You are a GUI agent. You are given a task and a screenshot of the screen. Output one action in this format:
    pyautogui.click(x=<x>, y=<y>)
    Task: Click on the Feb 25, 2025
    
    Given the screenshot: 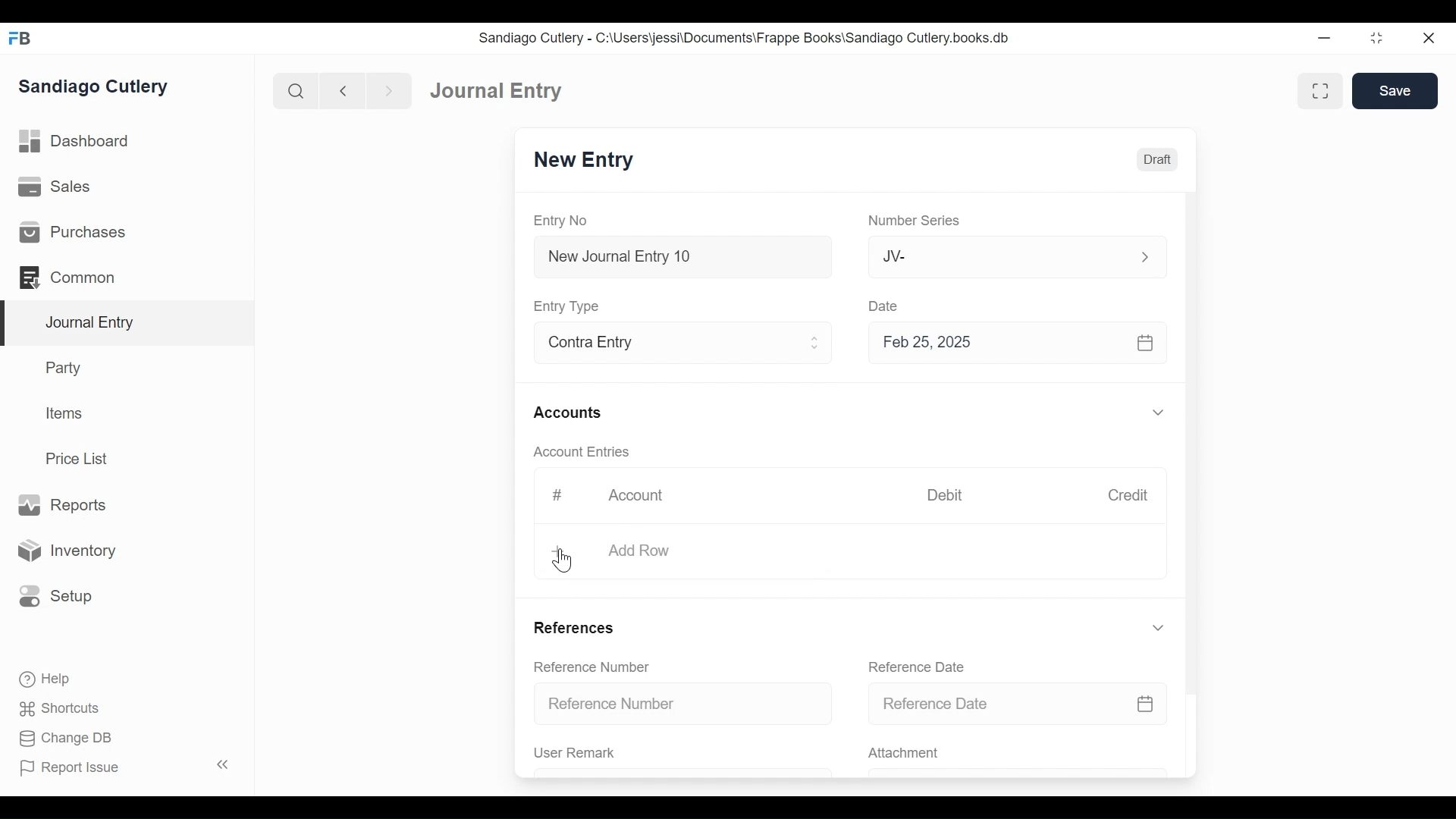 What is the action you would take?
    pyautogui.click(x=1019, y=346)
    